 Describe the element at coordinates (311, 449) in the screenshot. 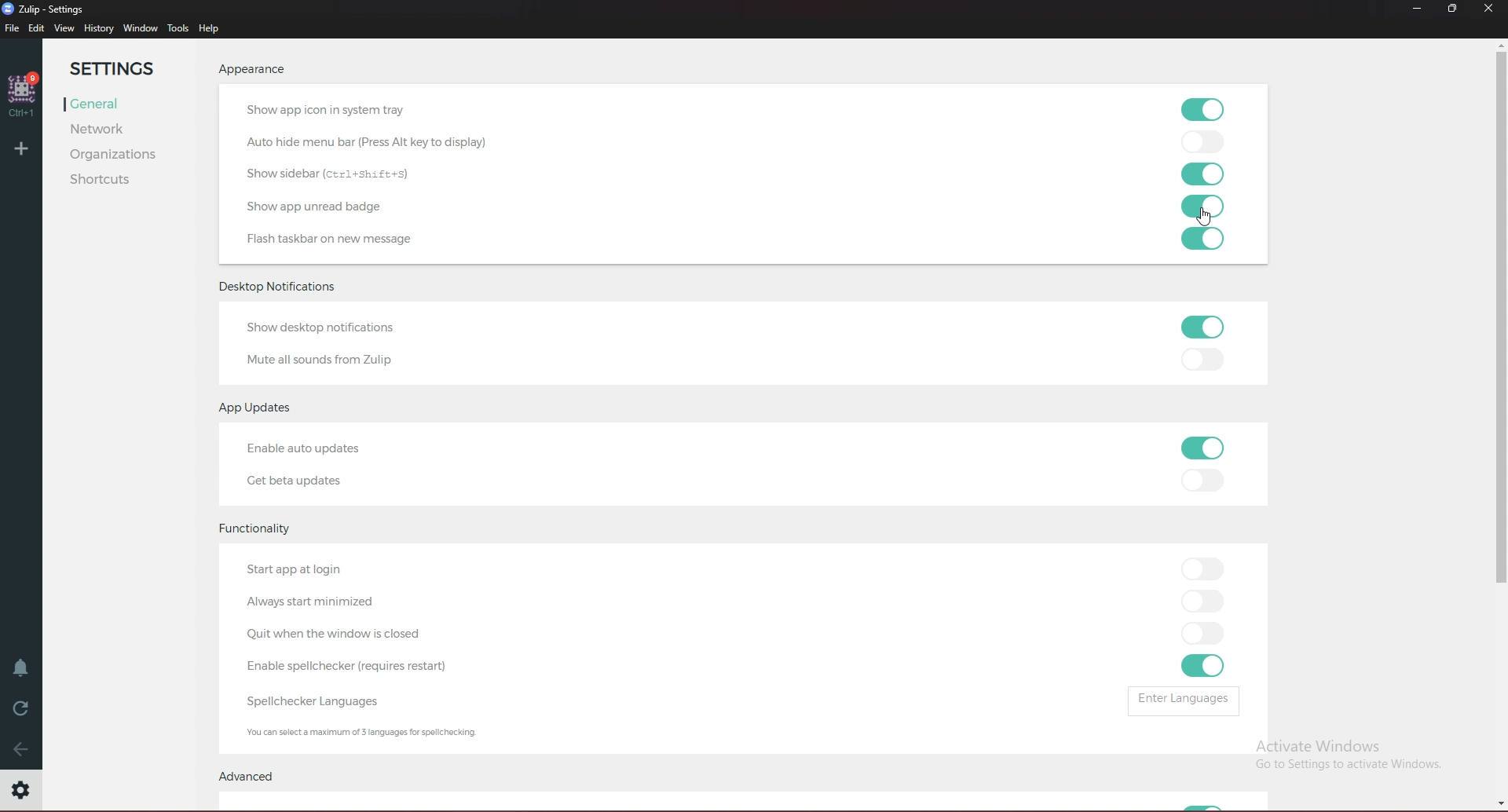

I see `Enable auto updates` at that location.